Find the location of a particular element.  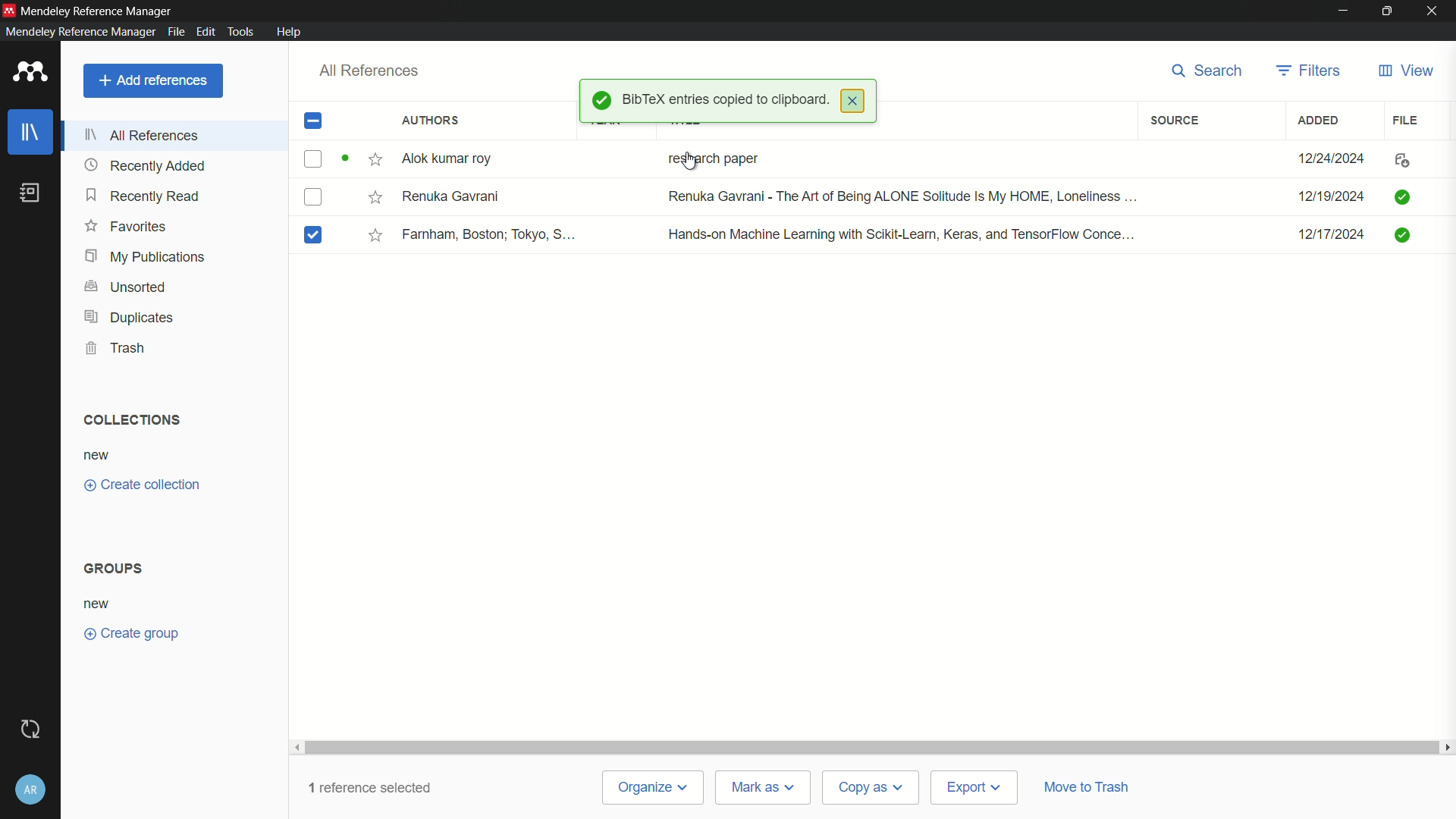

minimize is located at coordinates (1341, 10).